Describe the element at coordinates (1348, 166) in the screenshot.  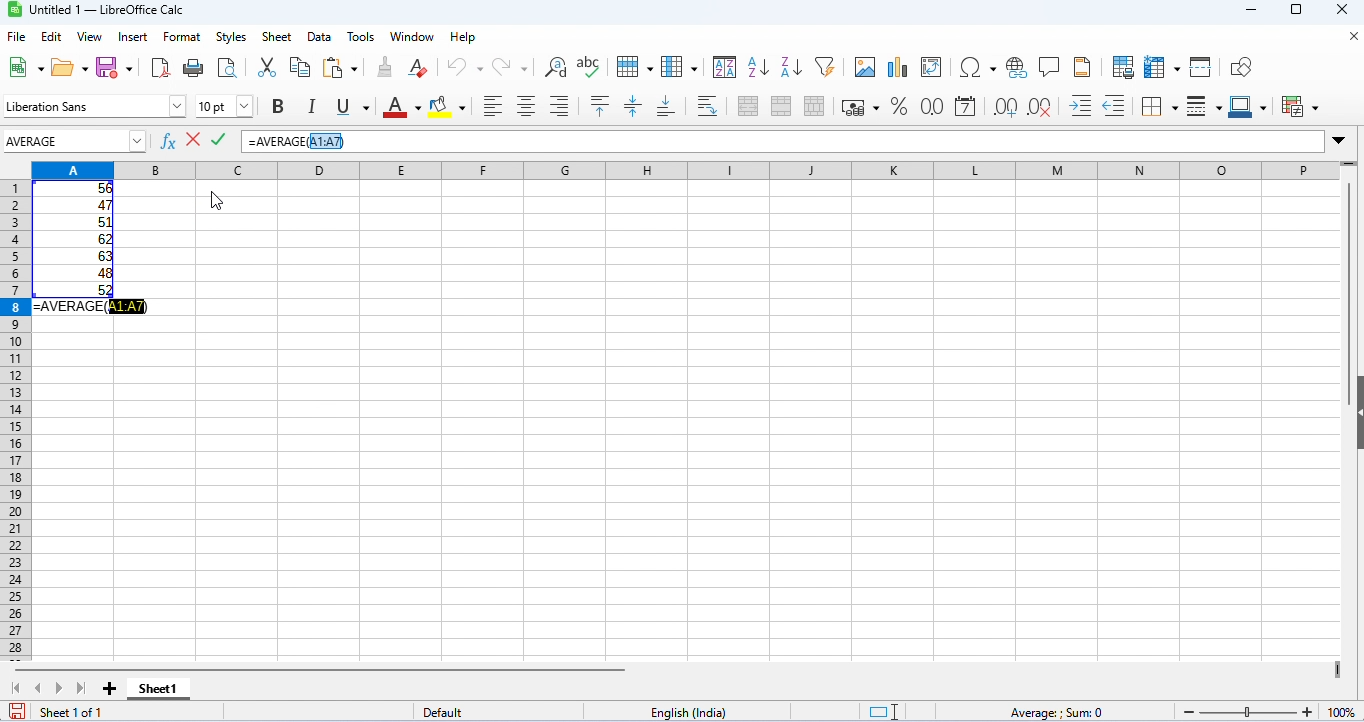
I see `drag to view rows` at that location.